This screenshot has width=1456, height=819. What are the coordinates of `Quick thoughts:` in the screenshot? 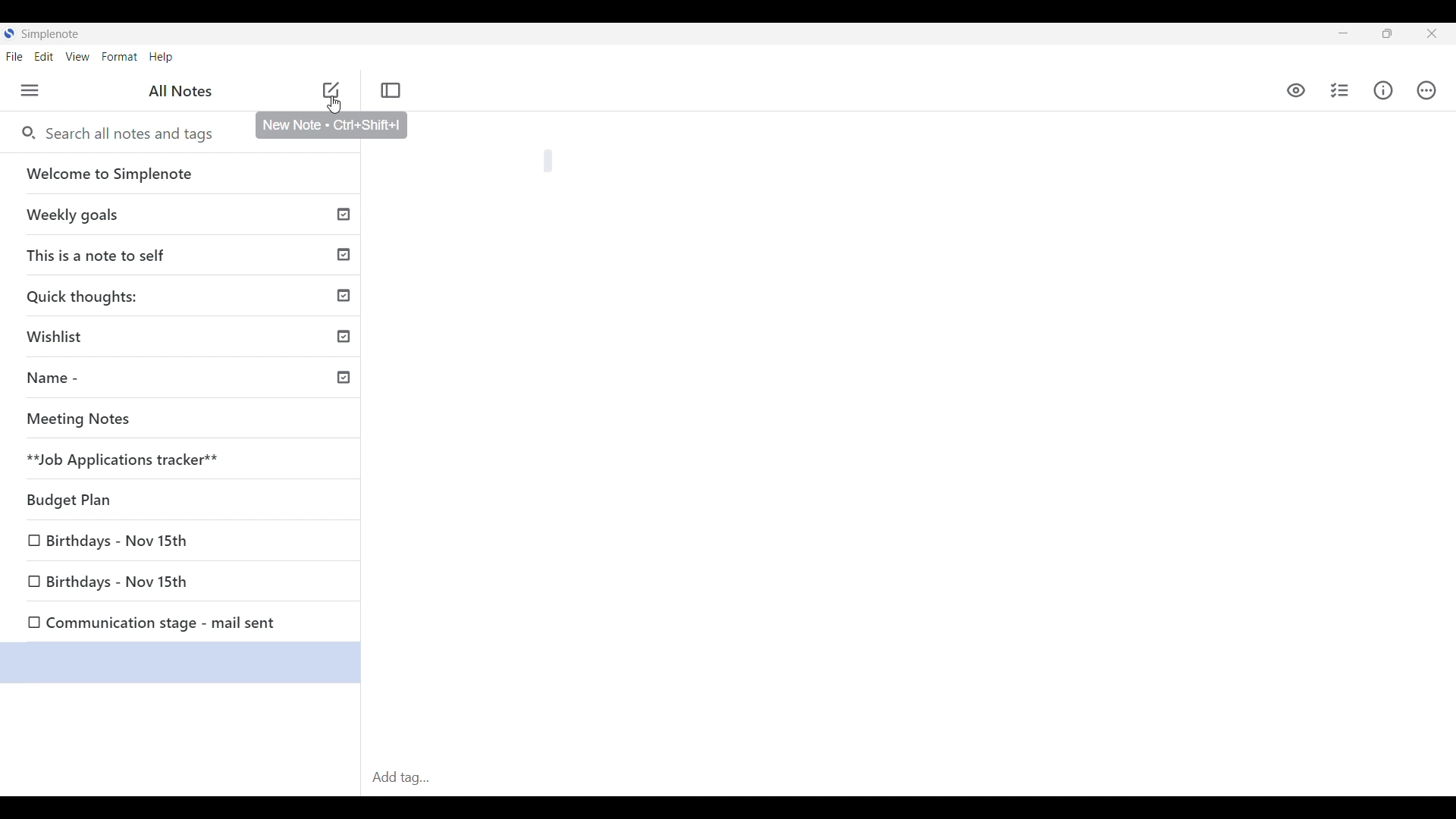 It's located at (187, 298).